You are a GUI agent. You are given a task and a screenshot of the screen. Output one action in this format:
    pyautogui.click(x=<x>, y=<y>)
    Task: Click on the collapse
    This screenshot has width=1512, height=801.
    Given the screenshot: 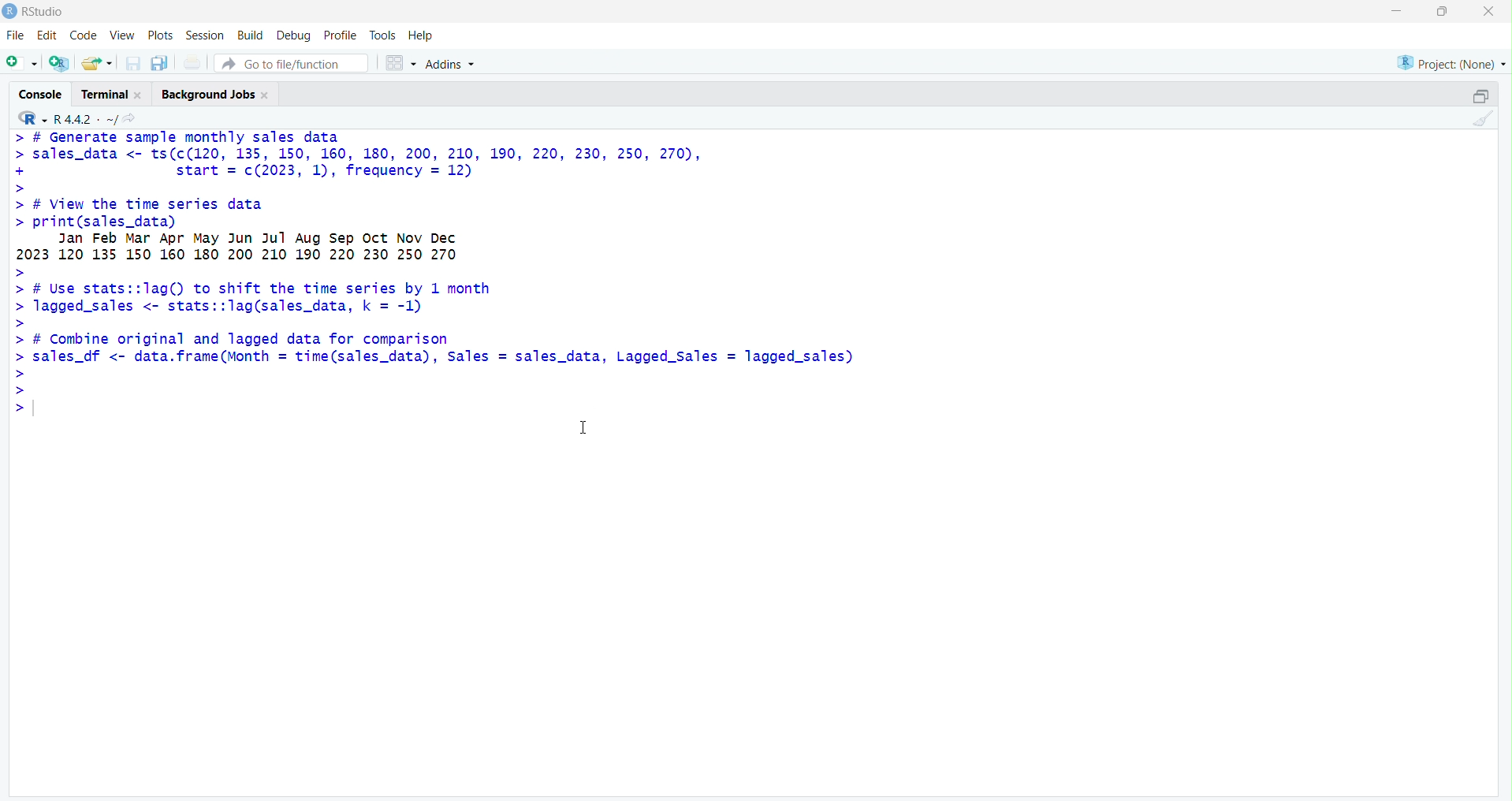 What is the action you would take?
    pyautogui.click(x=1480, y=95)
    